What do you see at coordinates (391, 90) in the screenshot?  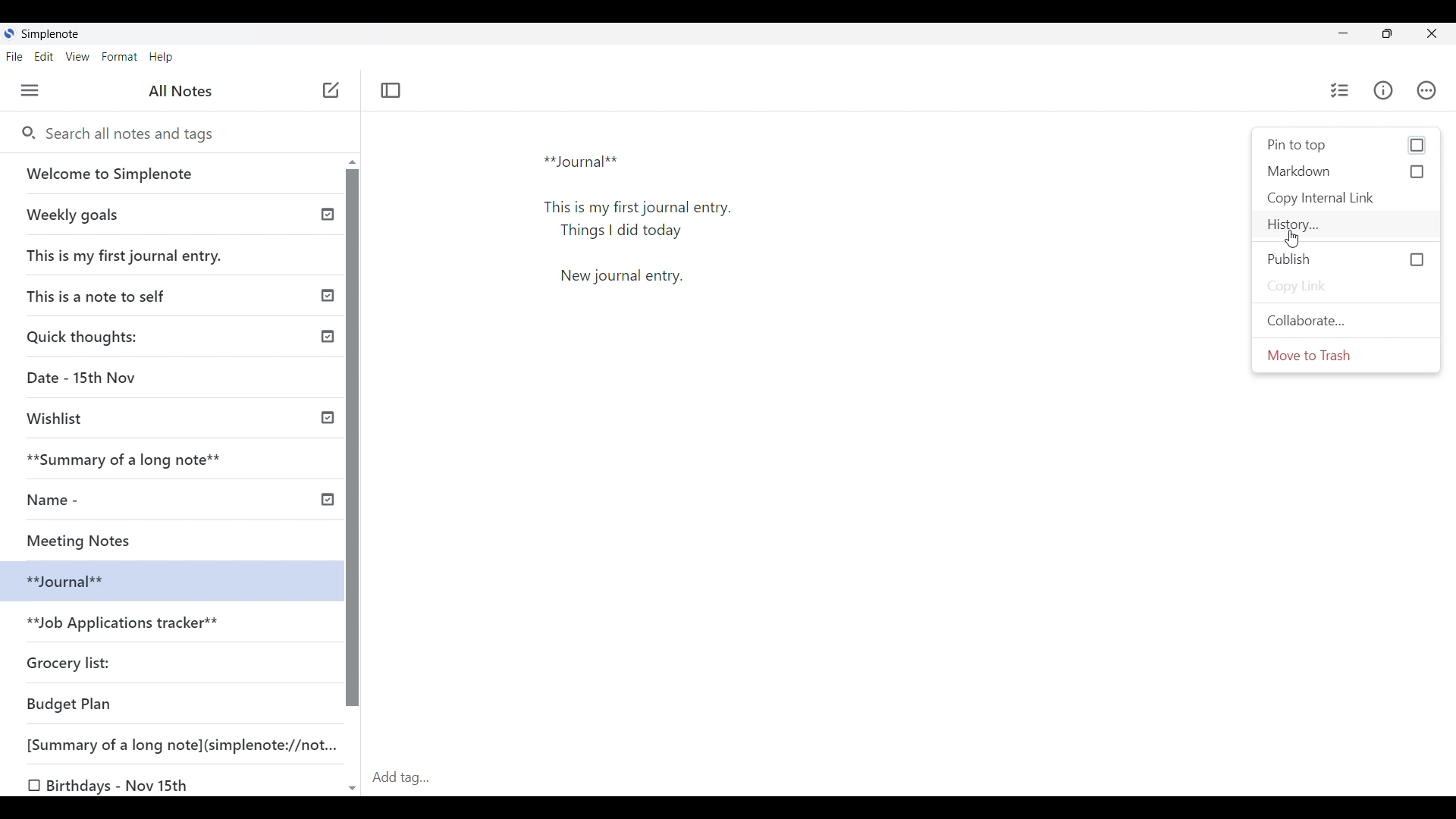 I see `Toggle focus mode` at bounding box center [391, 90].